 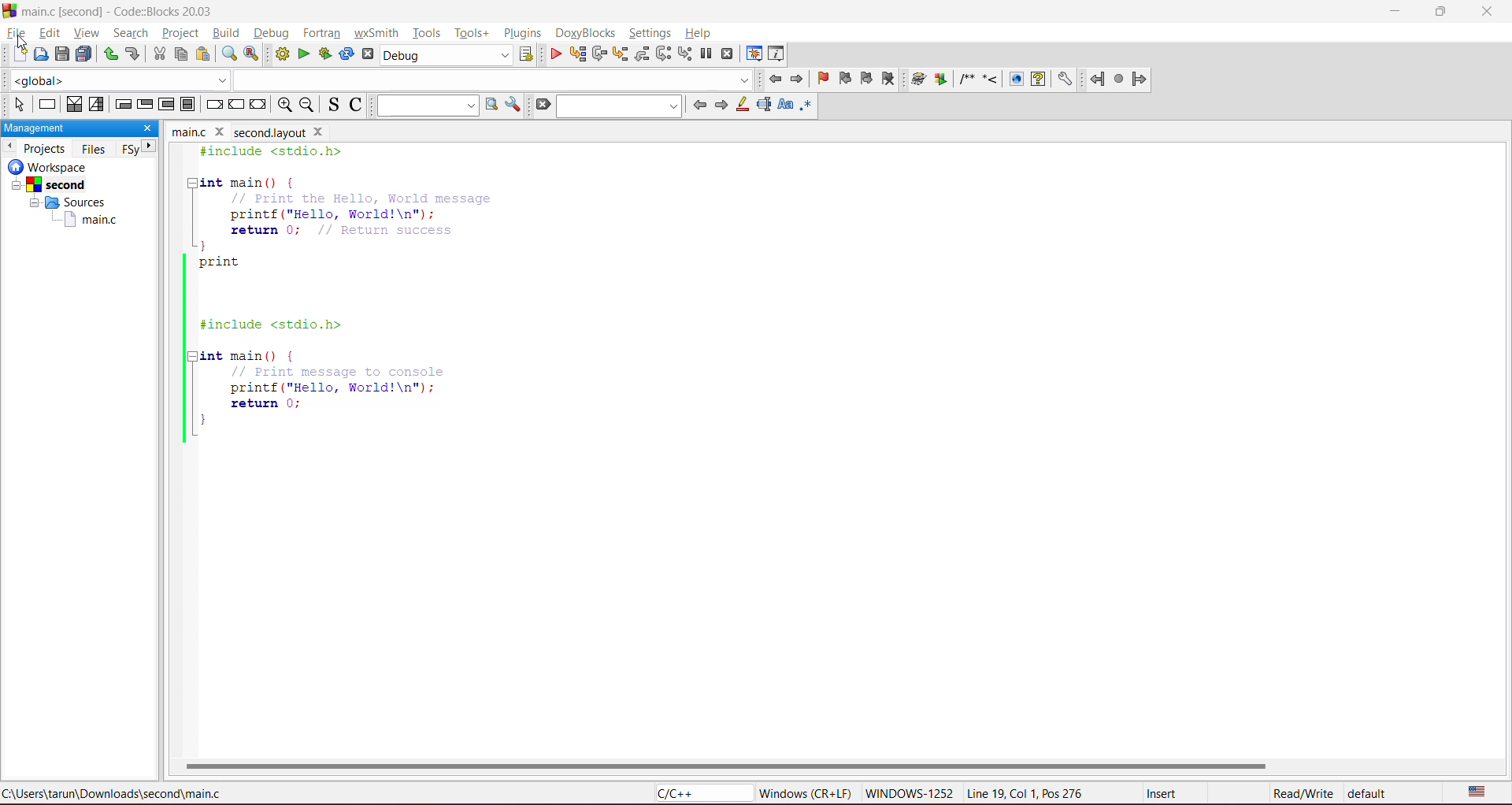 I want to click on FSy next, so click(x=139, y=148).